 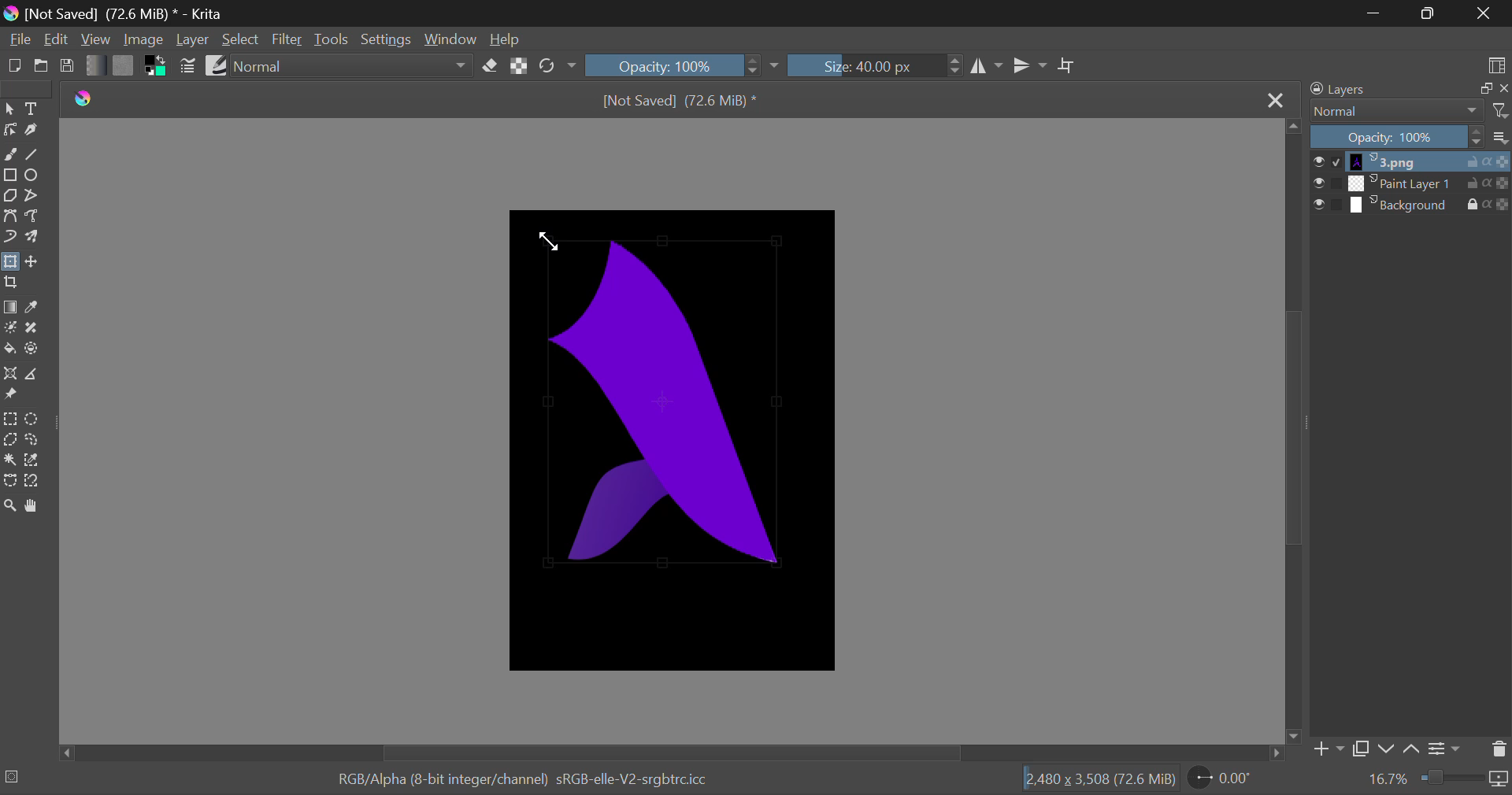 I want to click on Edit, so click(x=58, y=39).